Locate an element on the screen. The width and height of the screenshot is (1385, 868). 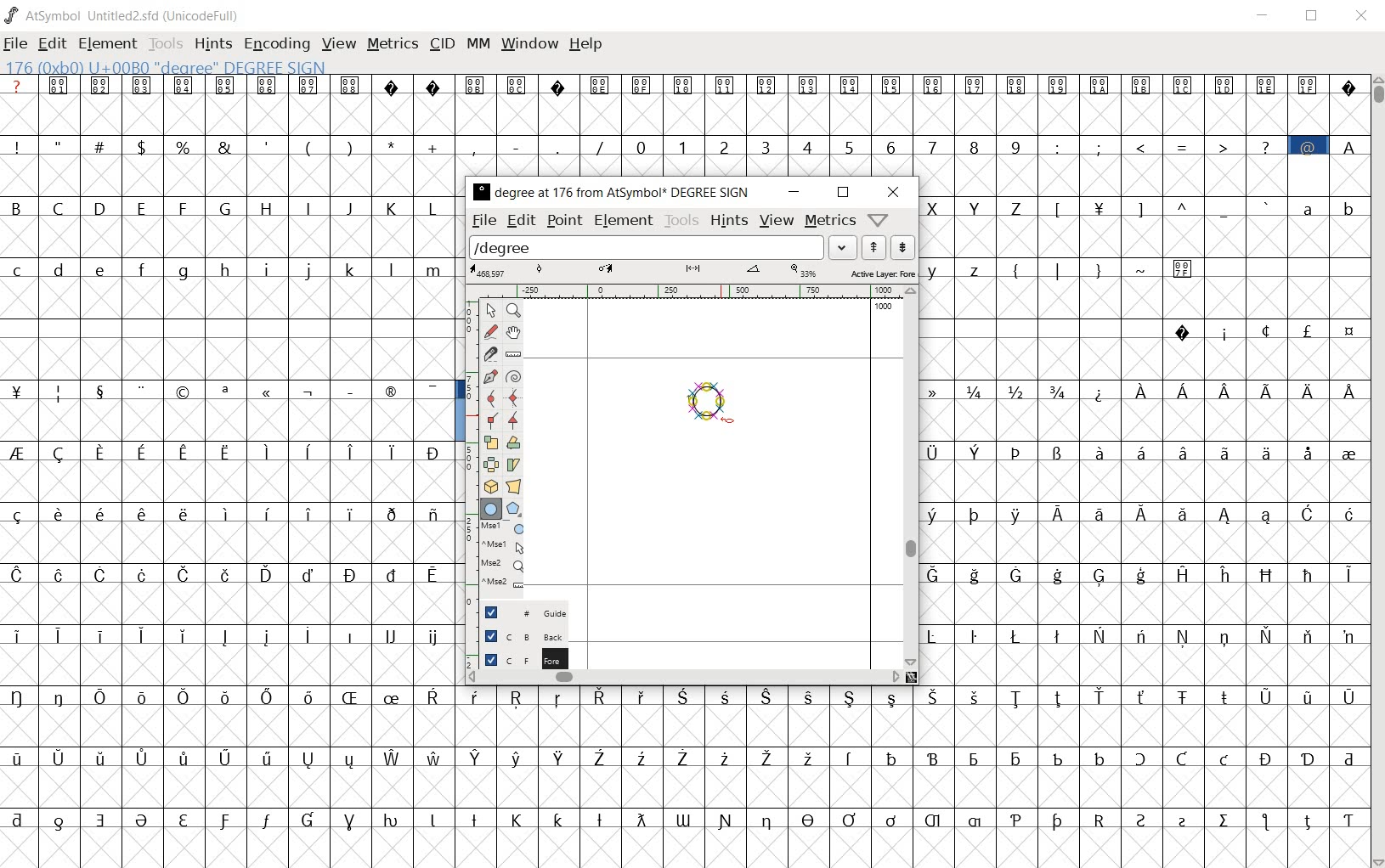
scrollbar is located at coordinates (683, 679).